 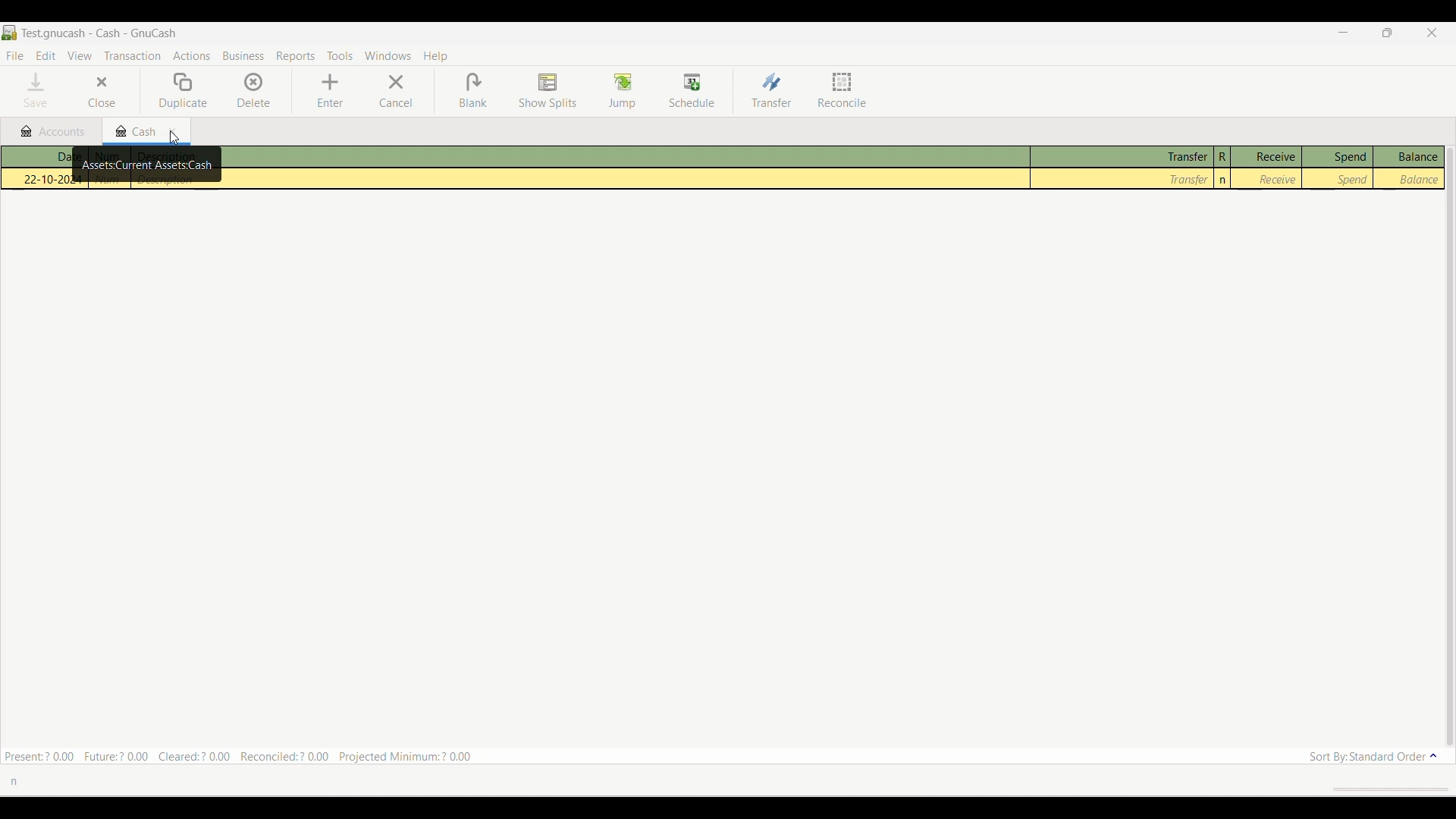 I want to click on Recieve, so click(x=1269, y=181).